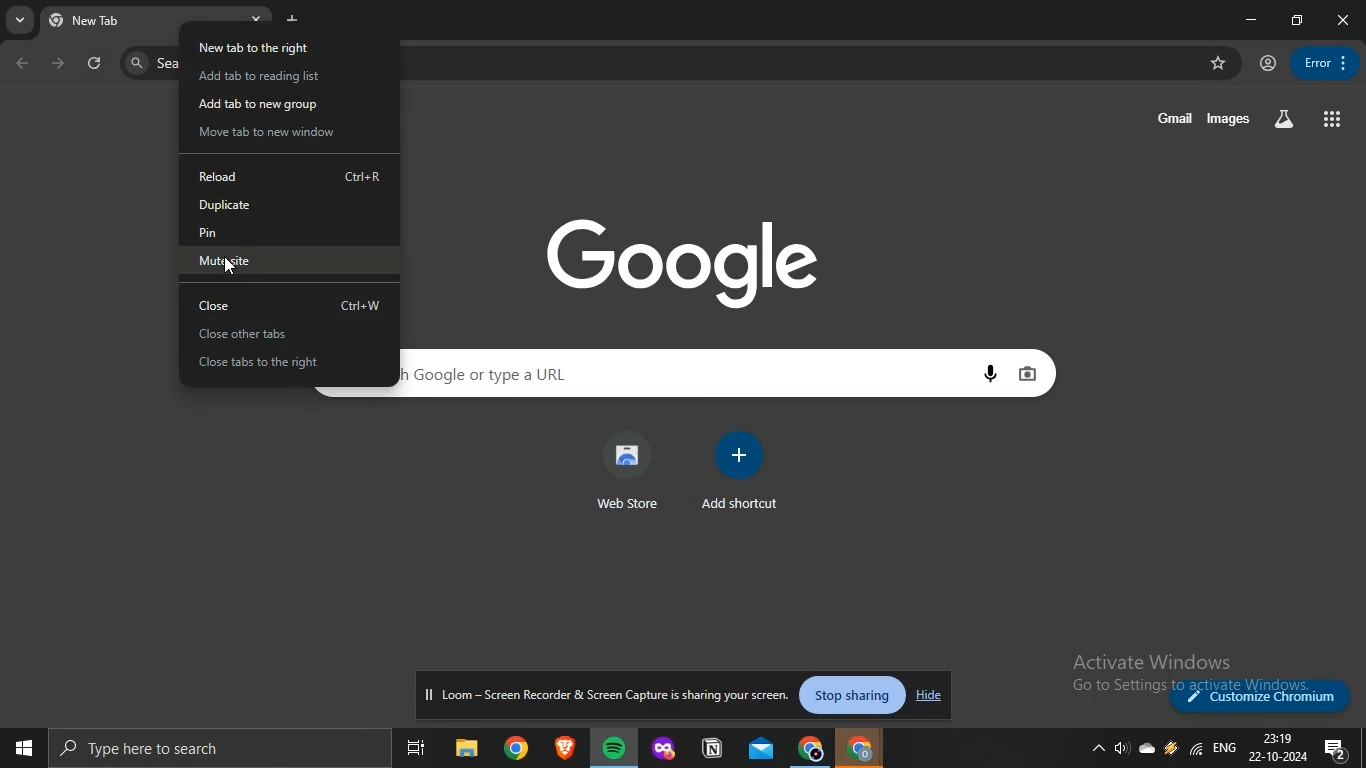 The image size is (1366, 768). I want to click on spotify, so click(612, 747).